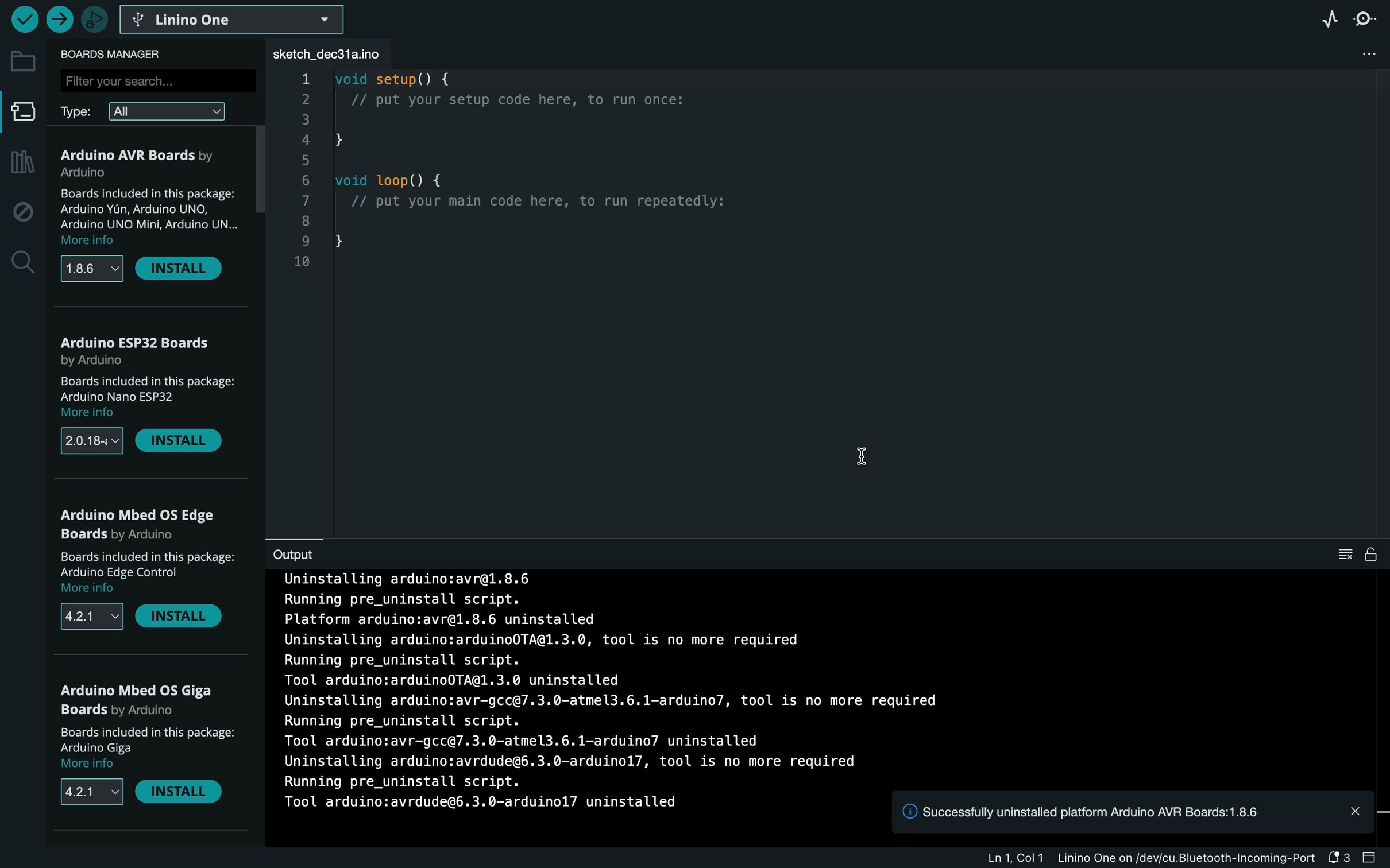 The width and height of the screenshot is (1390, 868). I want to click on AVR Boards, so click(150, 160).